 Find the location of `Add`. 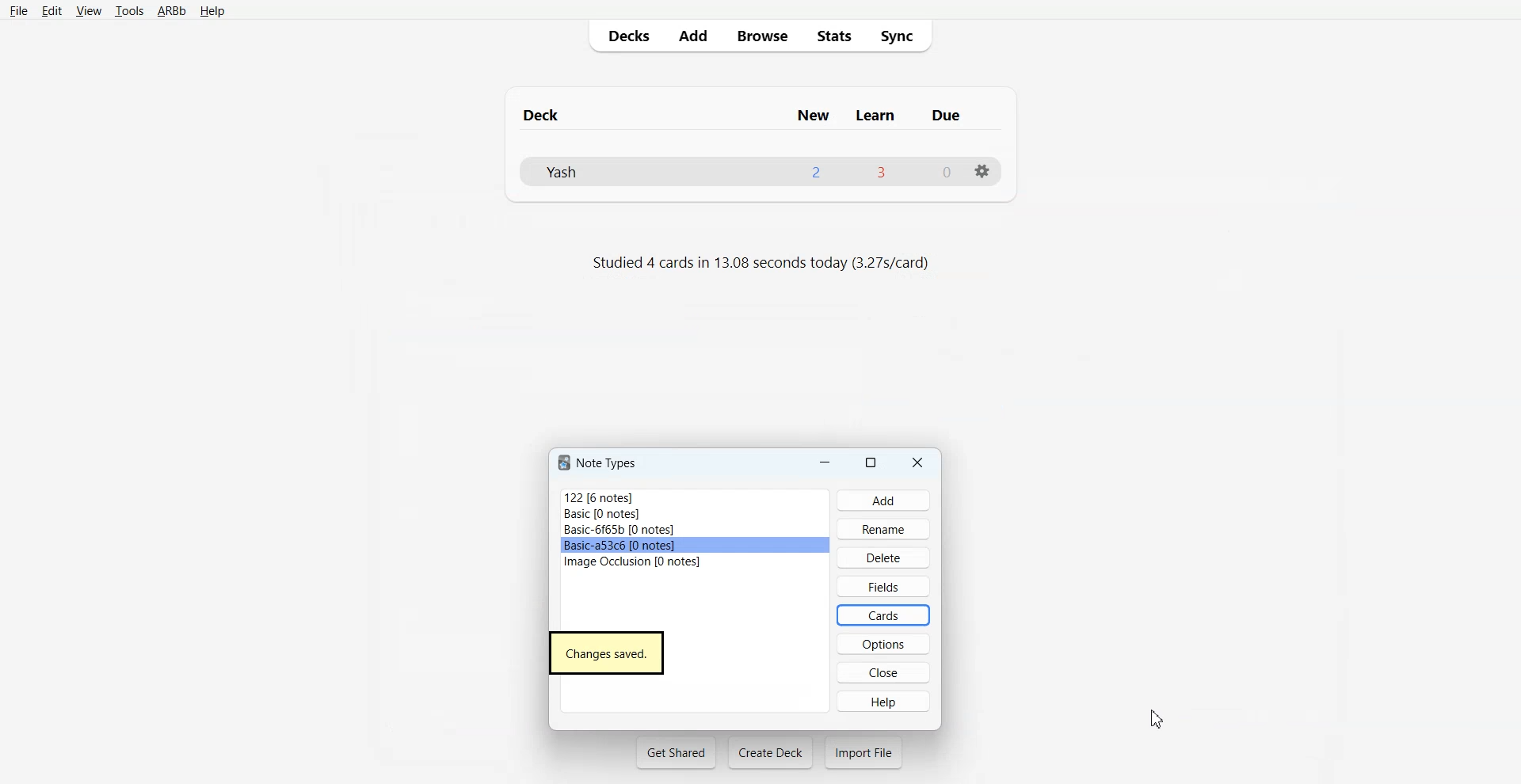

Add is located at coordinates (692, 36).